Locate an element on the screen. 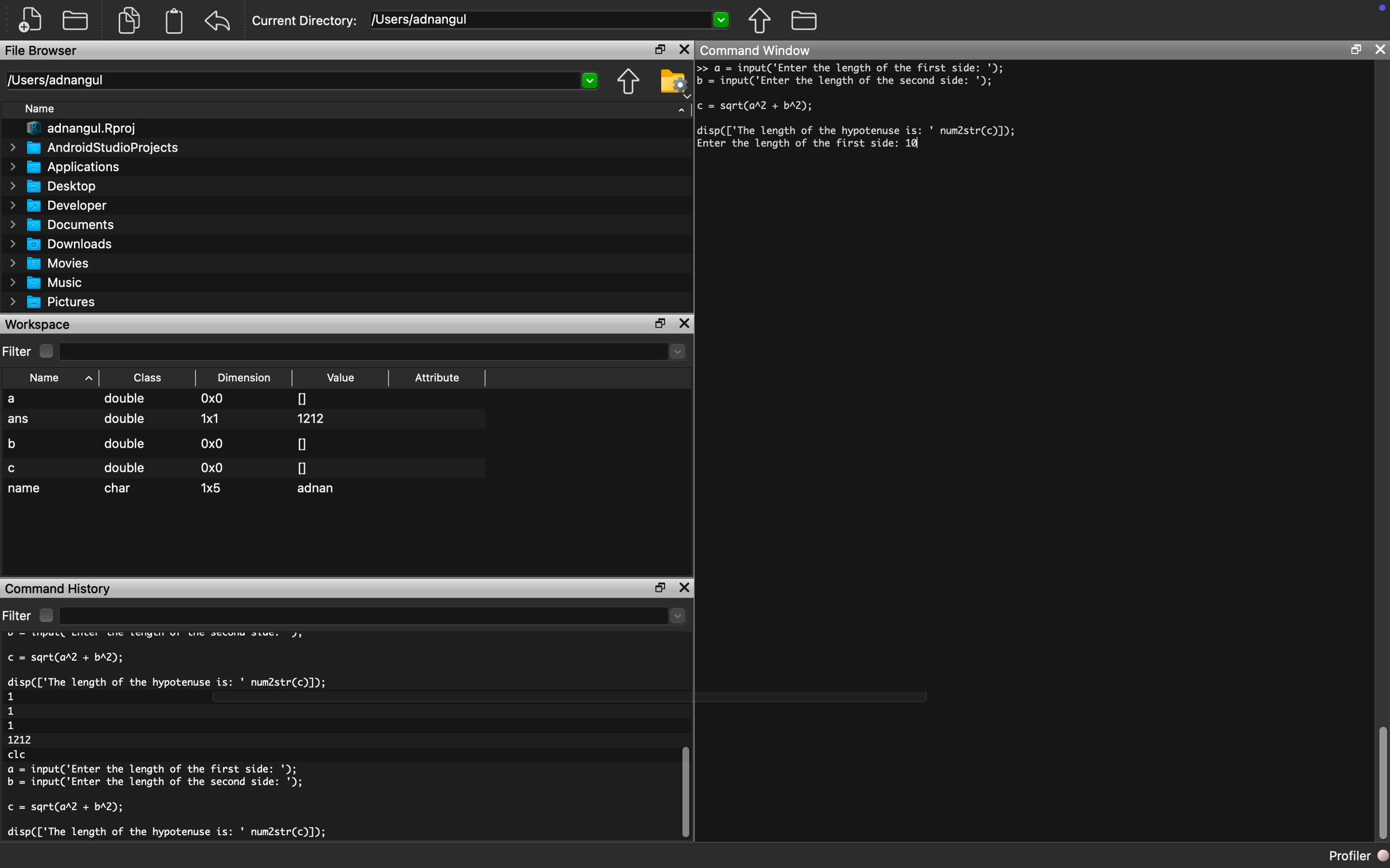  double is located at coordinates (126, 400).